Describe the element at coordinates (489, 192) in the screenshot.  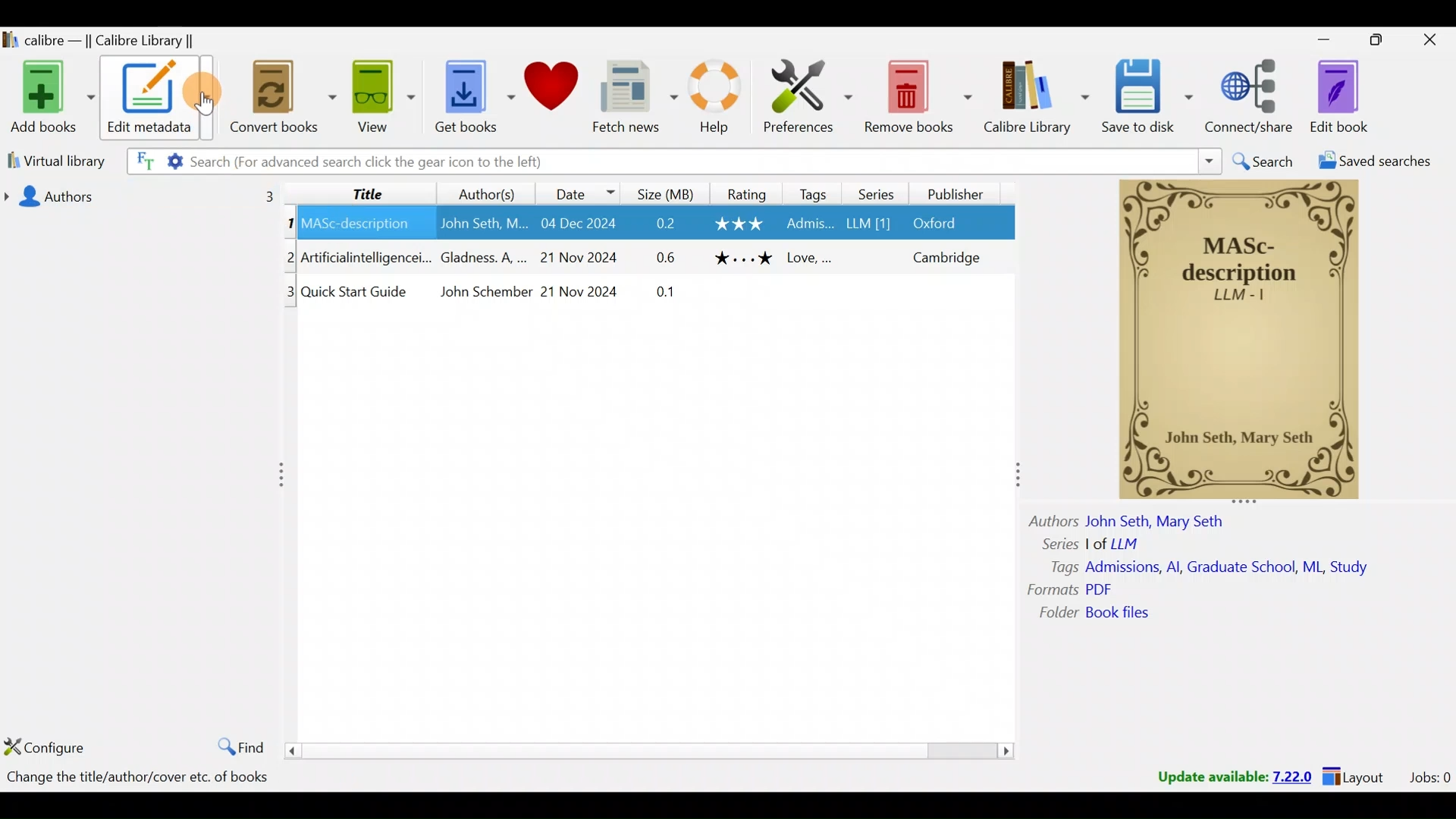
I see `Authors` at that location.